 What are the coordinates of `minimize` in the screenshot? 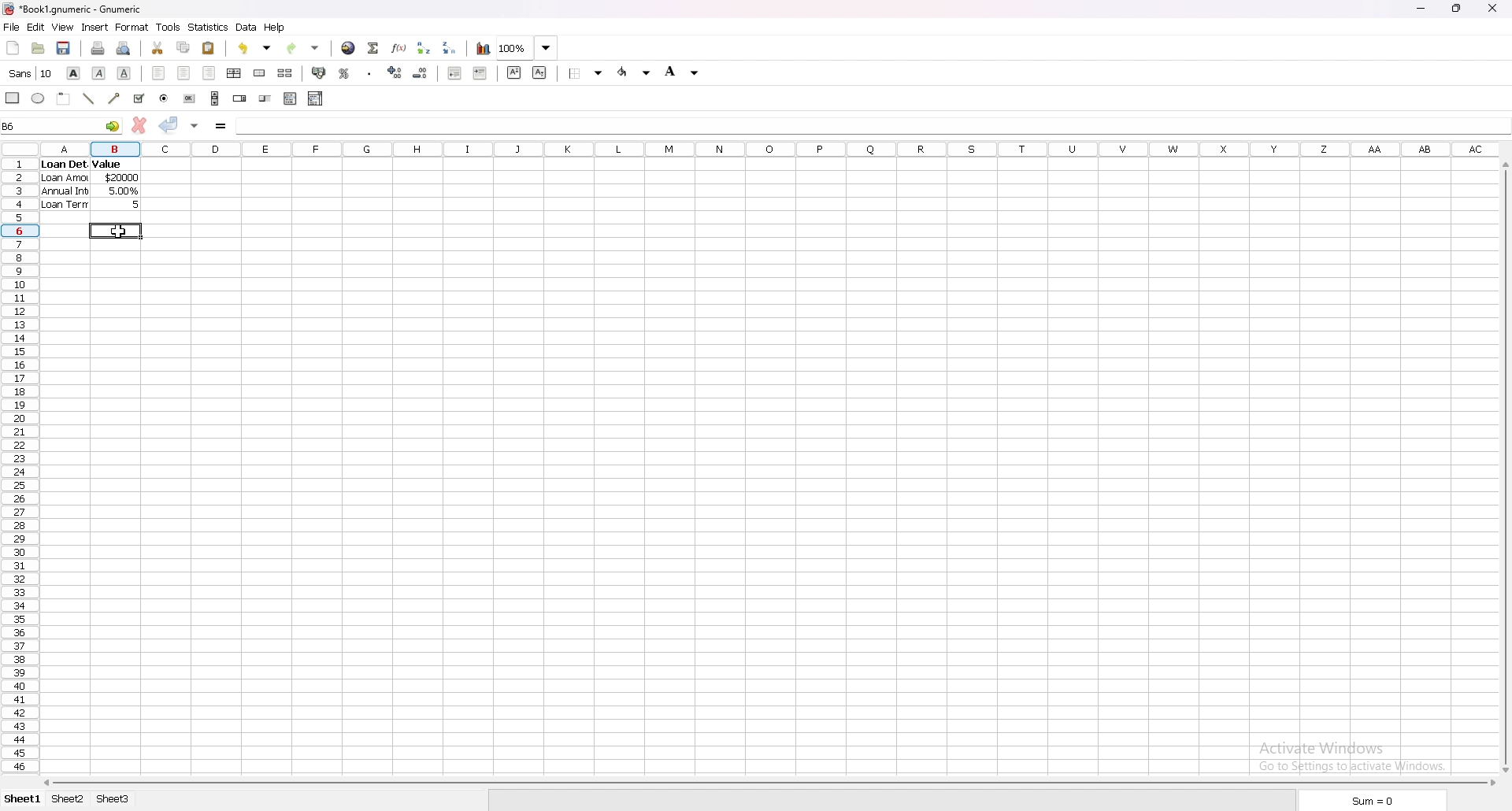 It's located at (1421, 9).